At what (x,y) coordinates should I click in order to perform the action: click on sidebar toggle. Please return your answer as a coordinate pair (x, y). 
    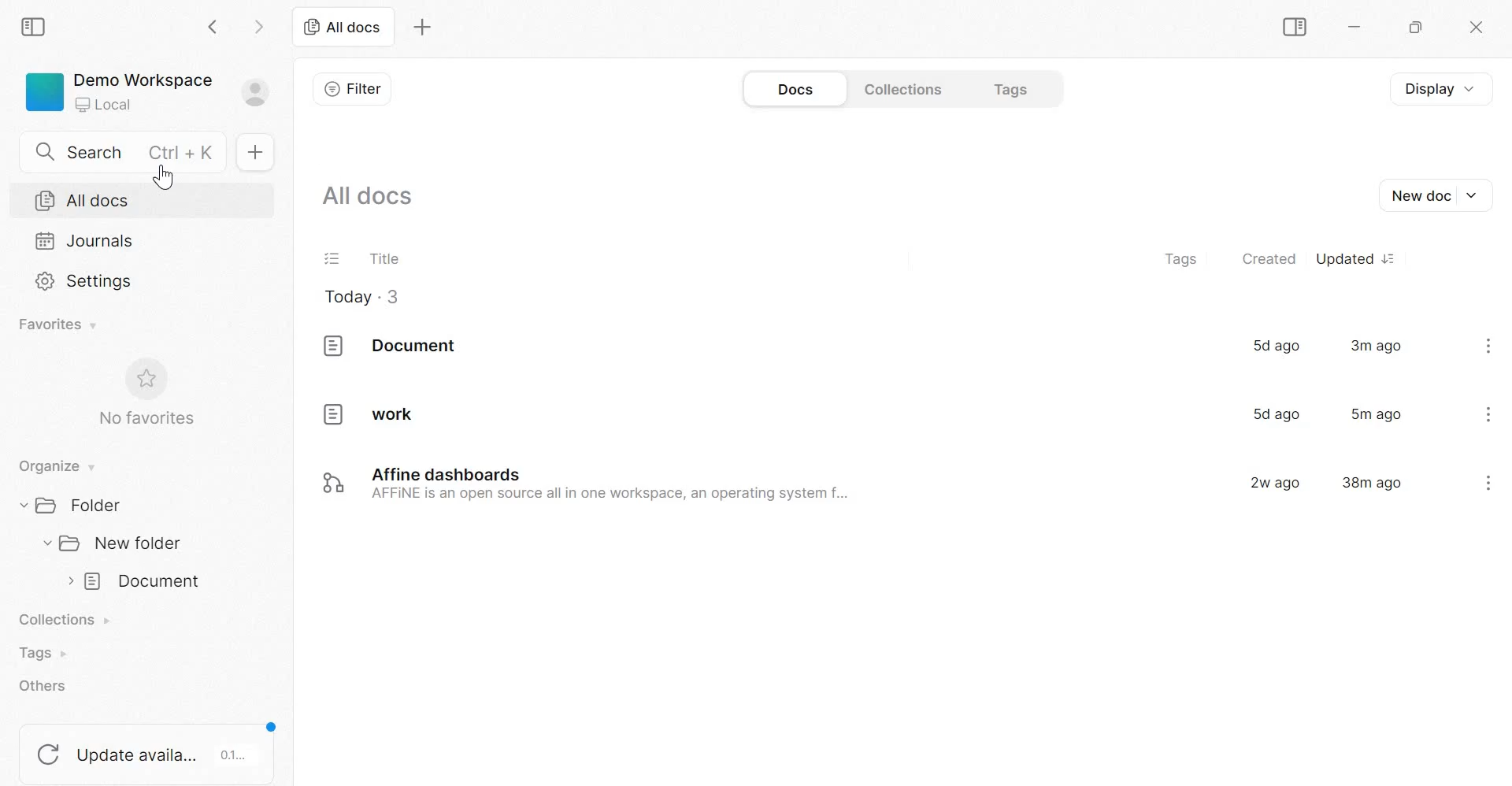
    Looking at the image, I should click on (35, 24).